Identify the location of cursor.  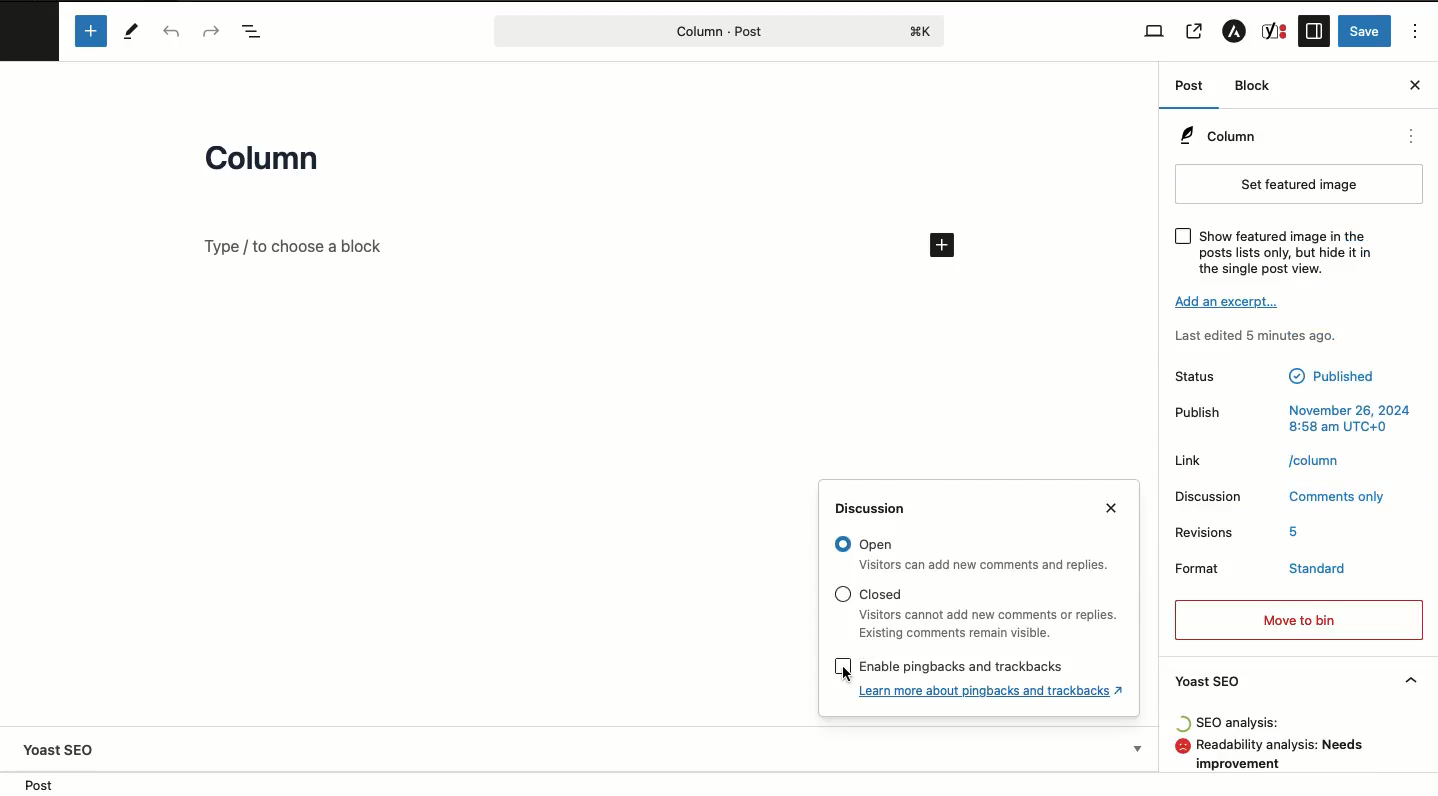
(844, 675).